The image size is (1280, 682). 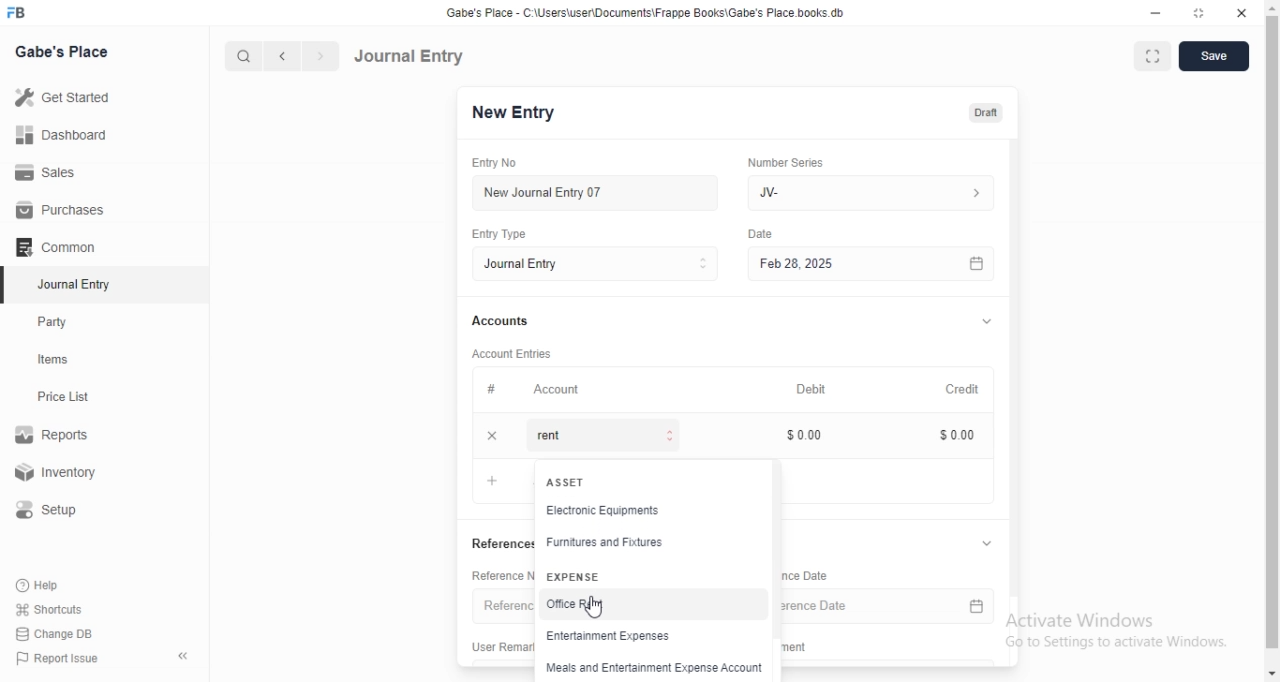 What do you see at coordinates (602, 264) in the screenshot?
I see `Entry Type` at bounding box center [602, 264].